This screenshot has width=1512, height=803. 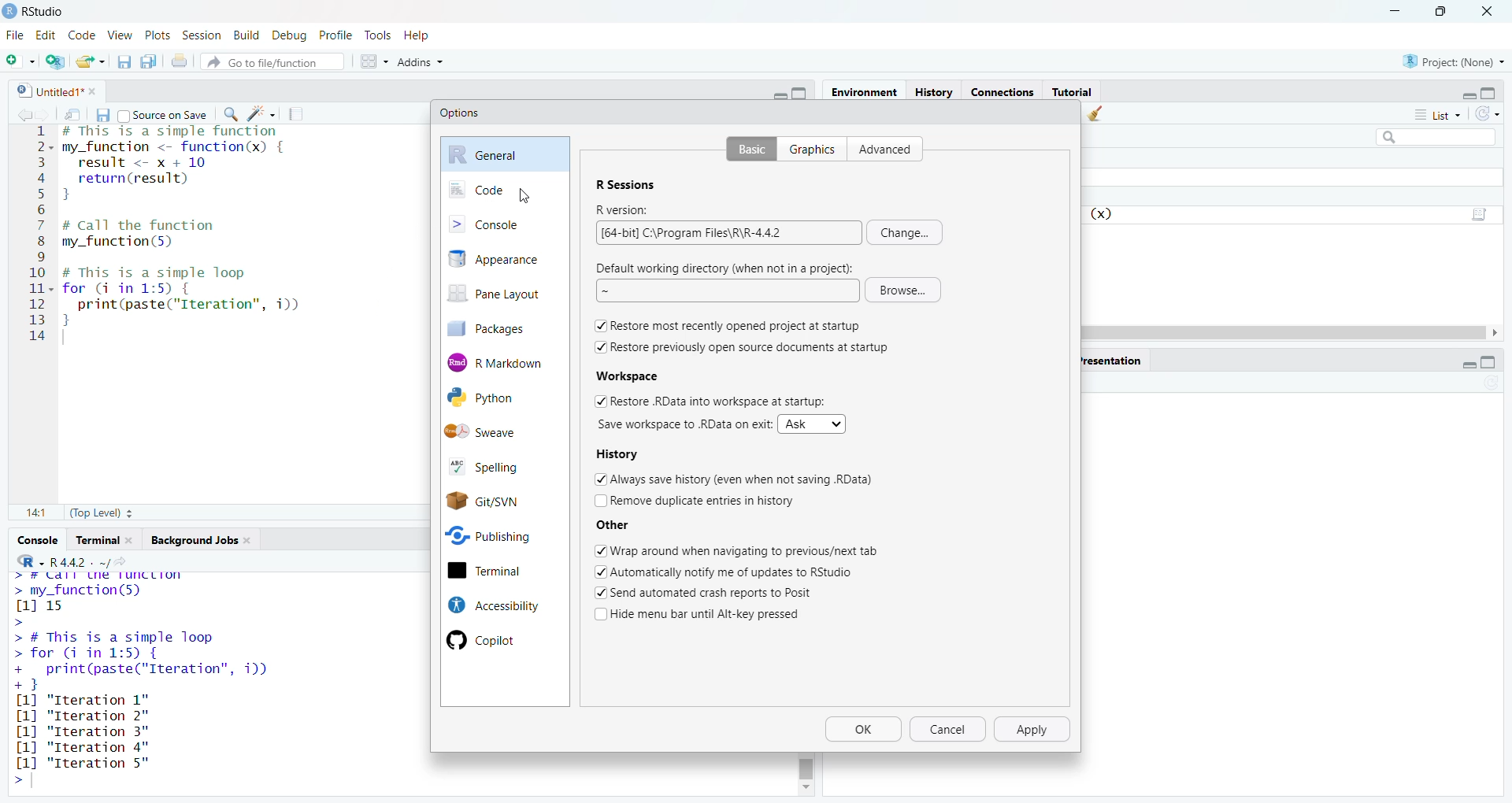 I want to click on minimize, so click(x=1464, y=92).